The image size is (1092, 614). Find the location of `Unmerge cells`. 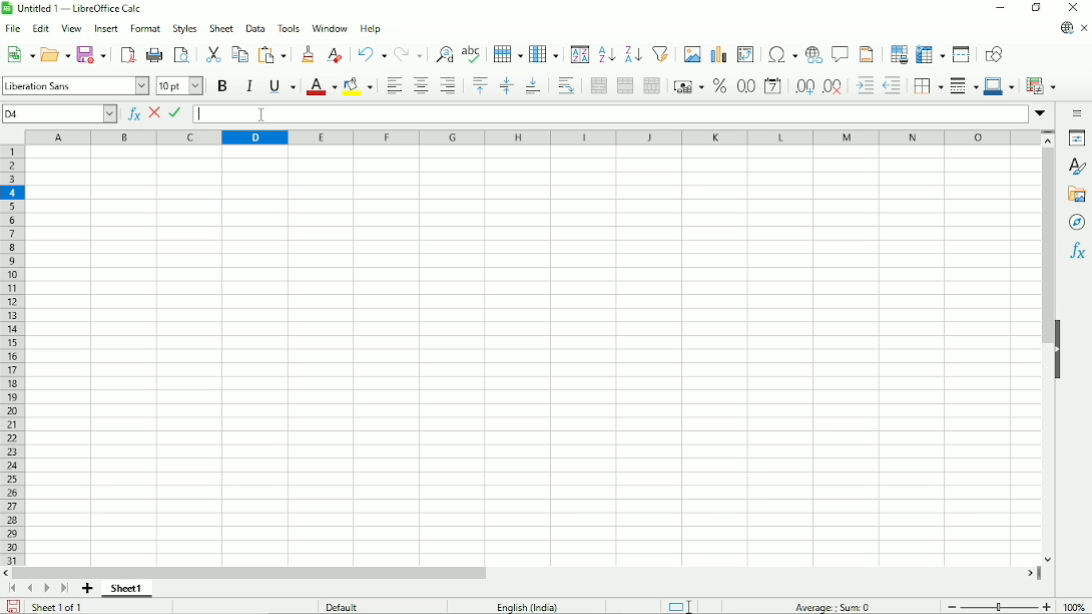

Unmerge cells is located at coordinates (655, 85).